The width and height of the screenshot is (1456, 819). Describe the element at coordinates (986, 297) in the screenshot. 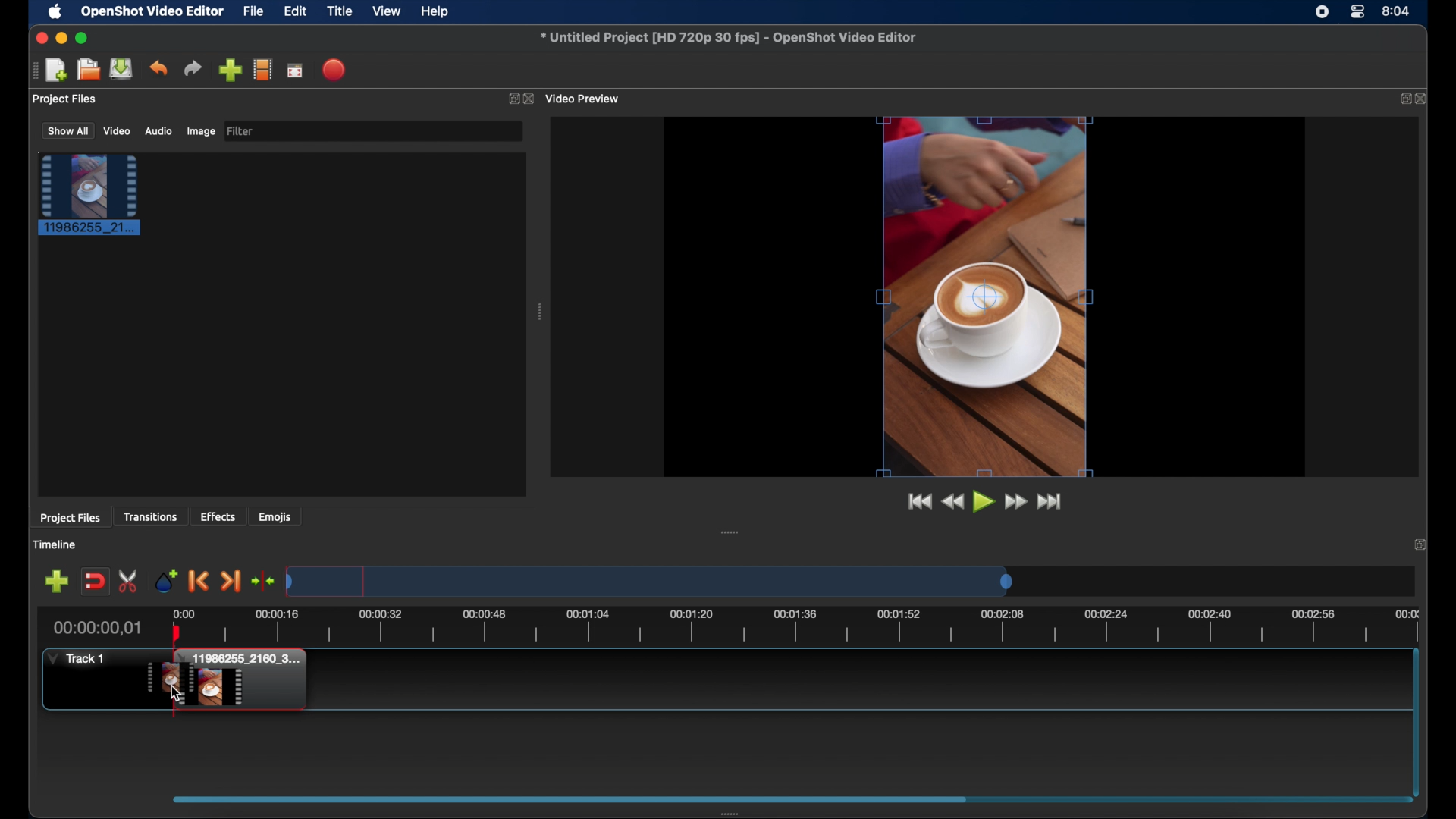

I see `video preview` at that location.